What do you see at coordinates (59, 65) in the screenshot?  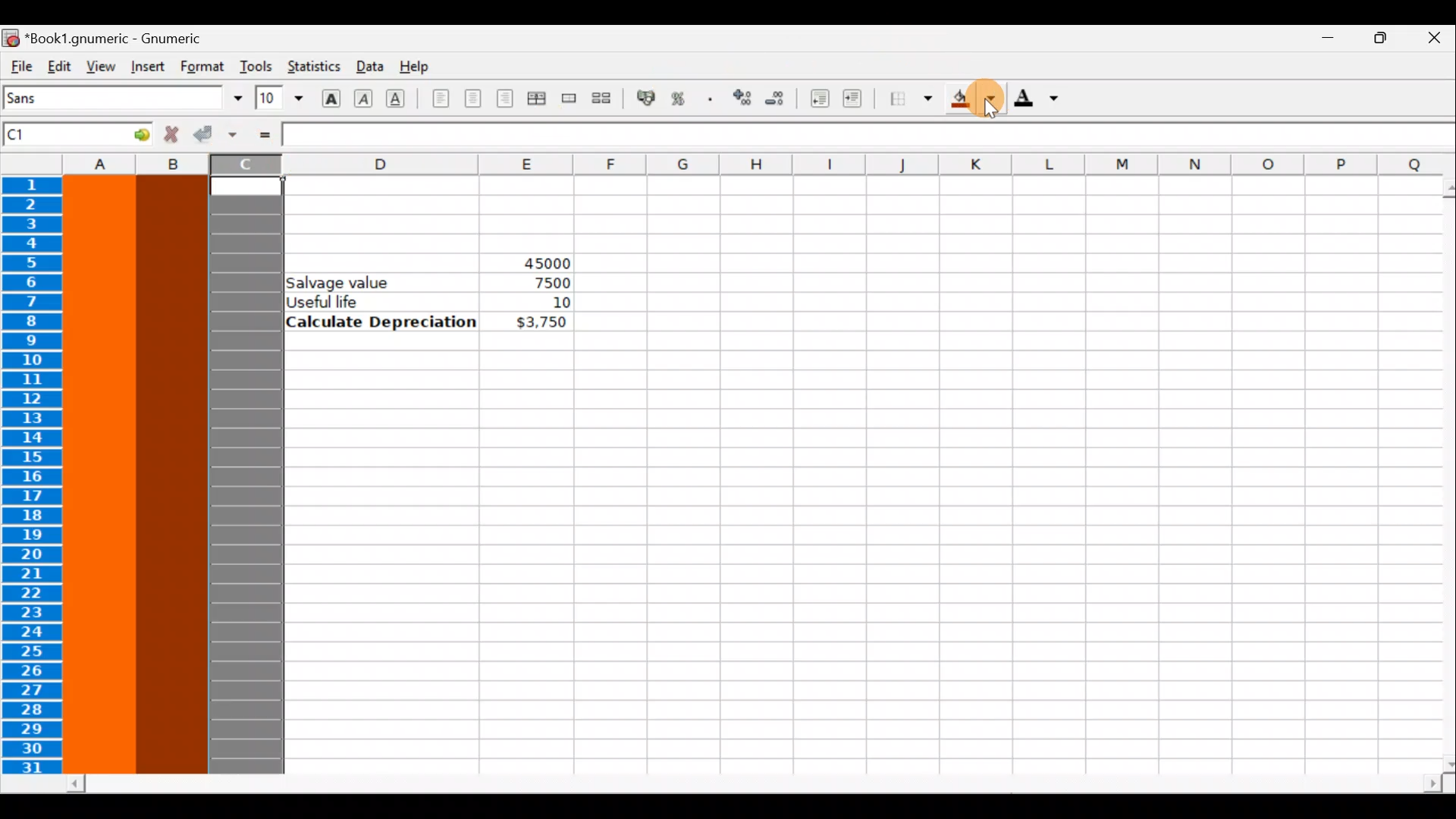 I see `Edit` at bounding box center [59, 65].